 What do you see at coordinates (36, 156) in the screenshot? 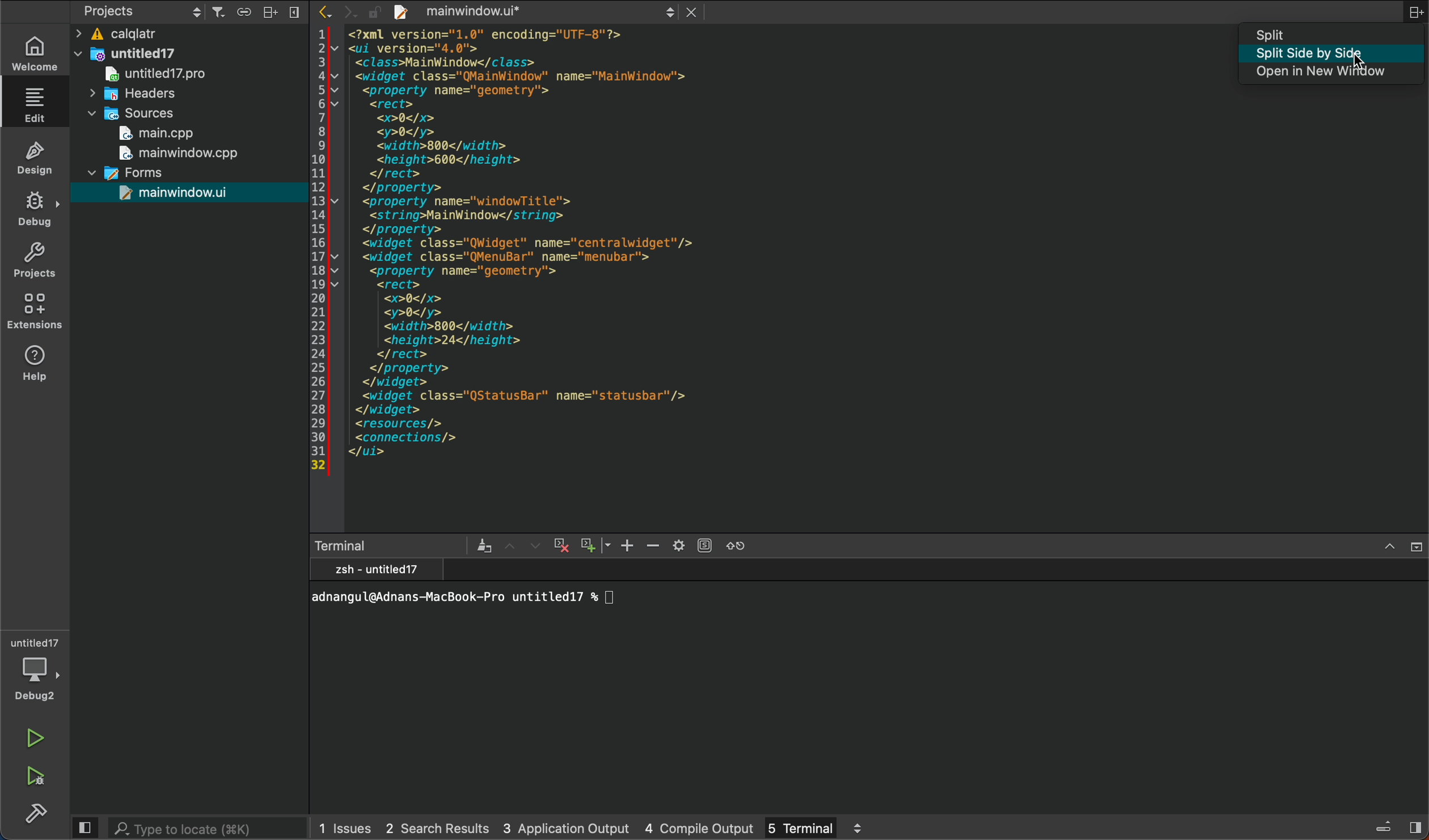
I see `design` at bounding box center [36, 156].